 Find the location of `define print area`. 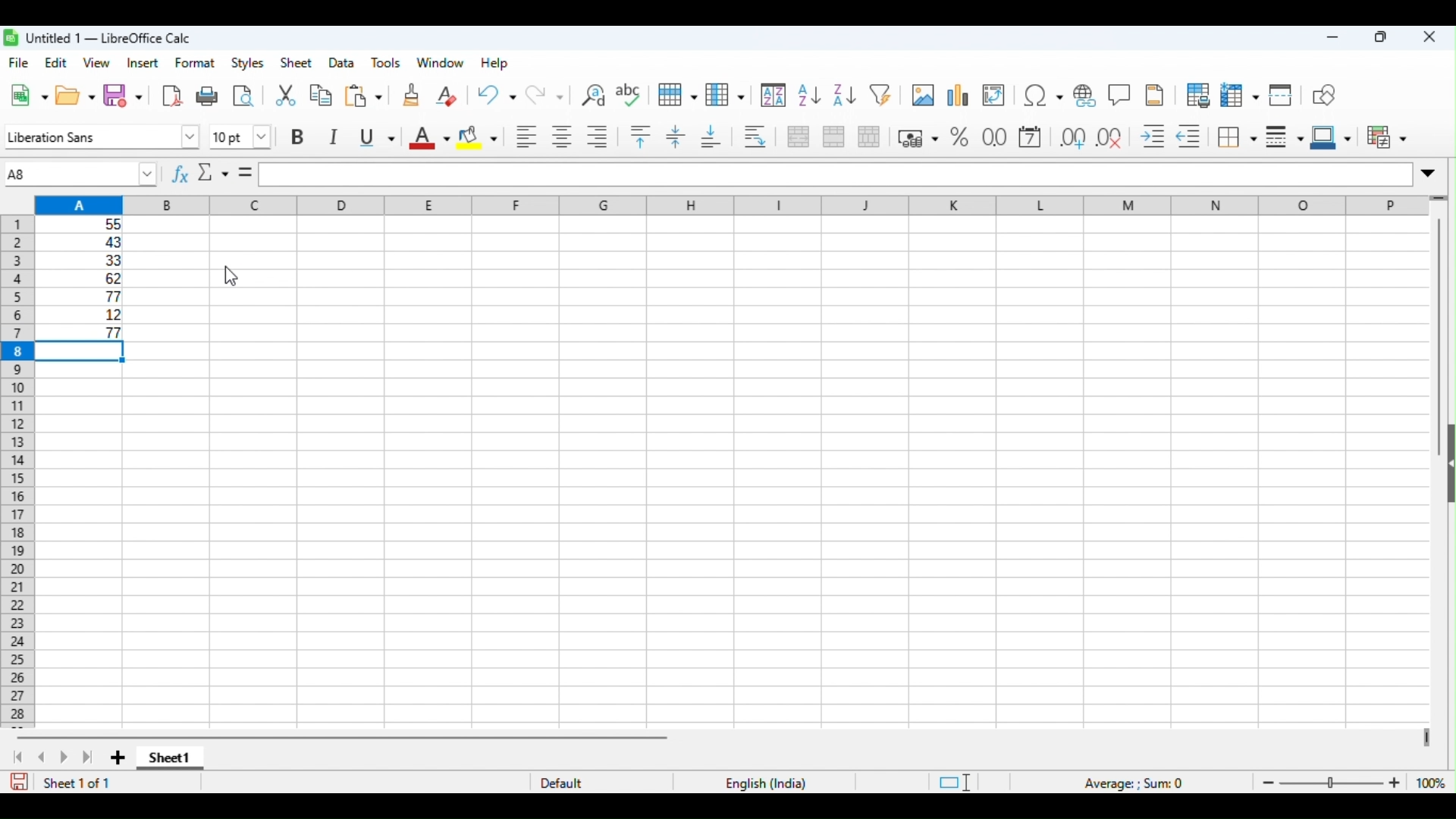

define print area is located at coordinates (1197, 93).